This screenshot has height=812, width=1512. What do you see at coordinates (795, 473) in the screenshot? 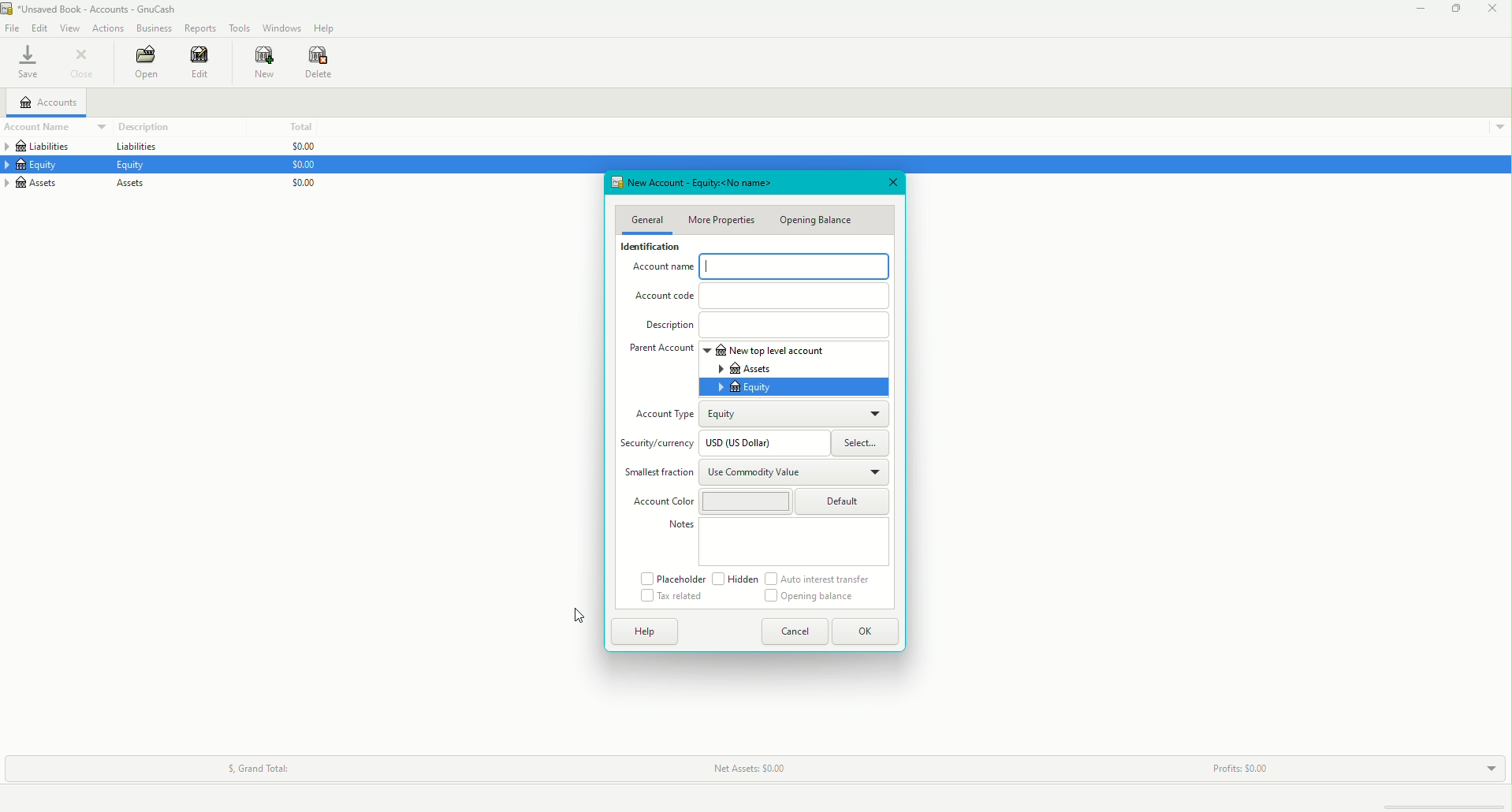
I see `Use Commodity Value` at bounding box center [795, 473].